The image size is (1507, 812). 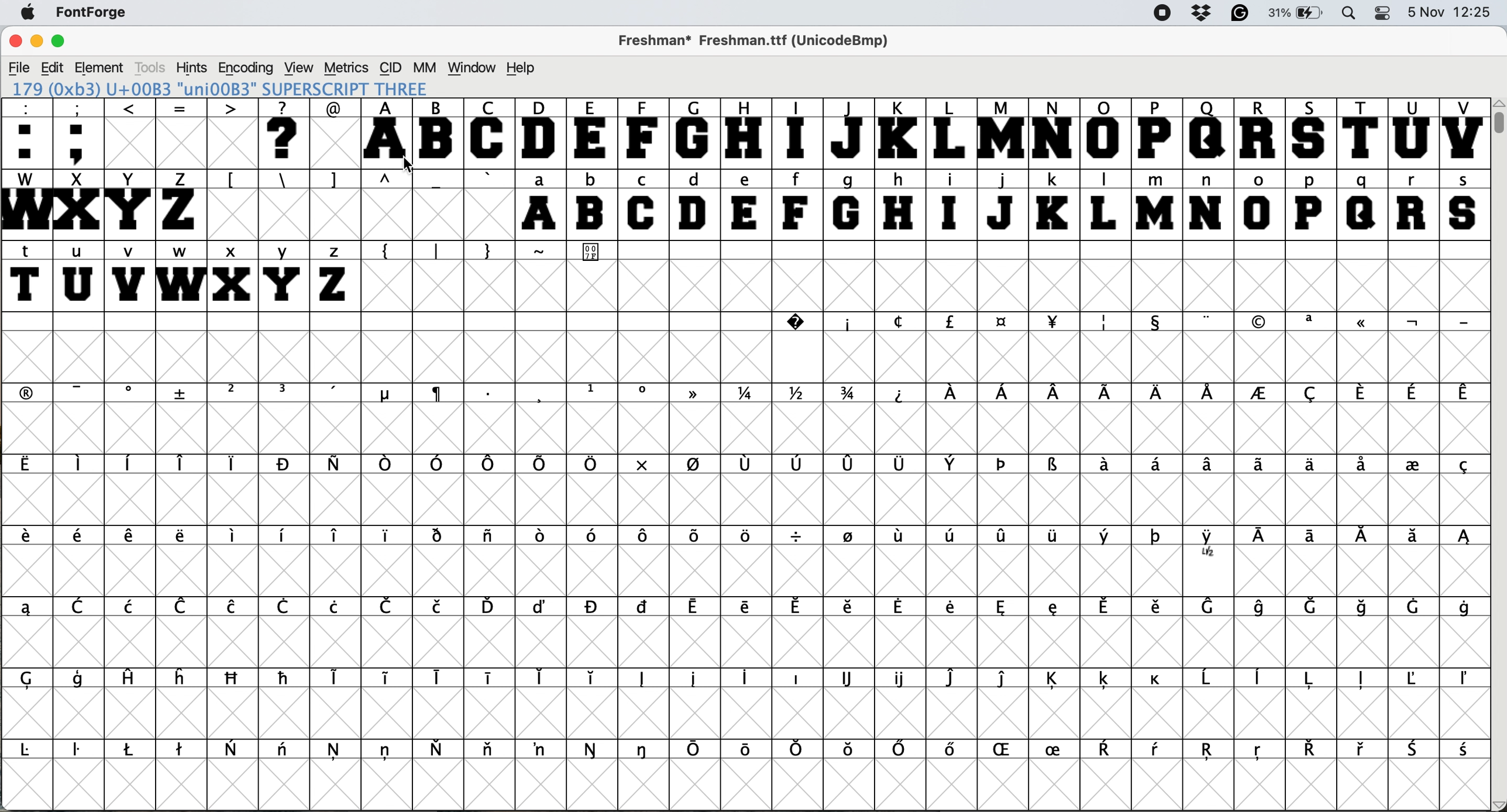 What do you see at coordinates (386, 466) in the screenshot?
I see `symbol` at bounding box center [386, 466].